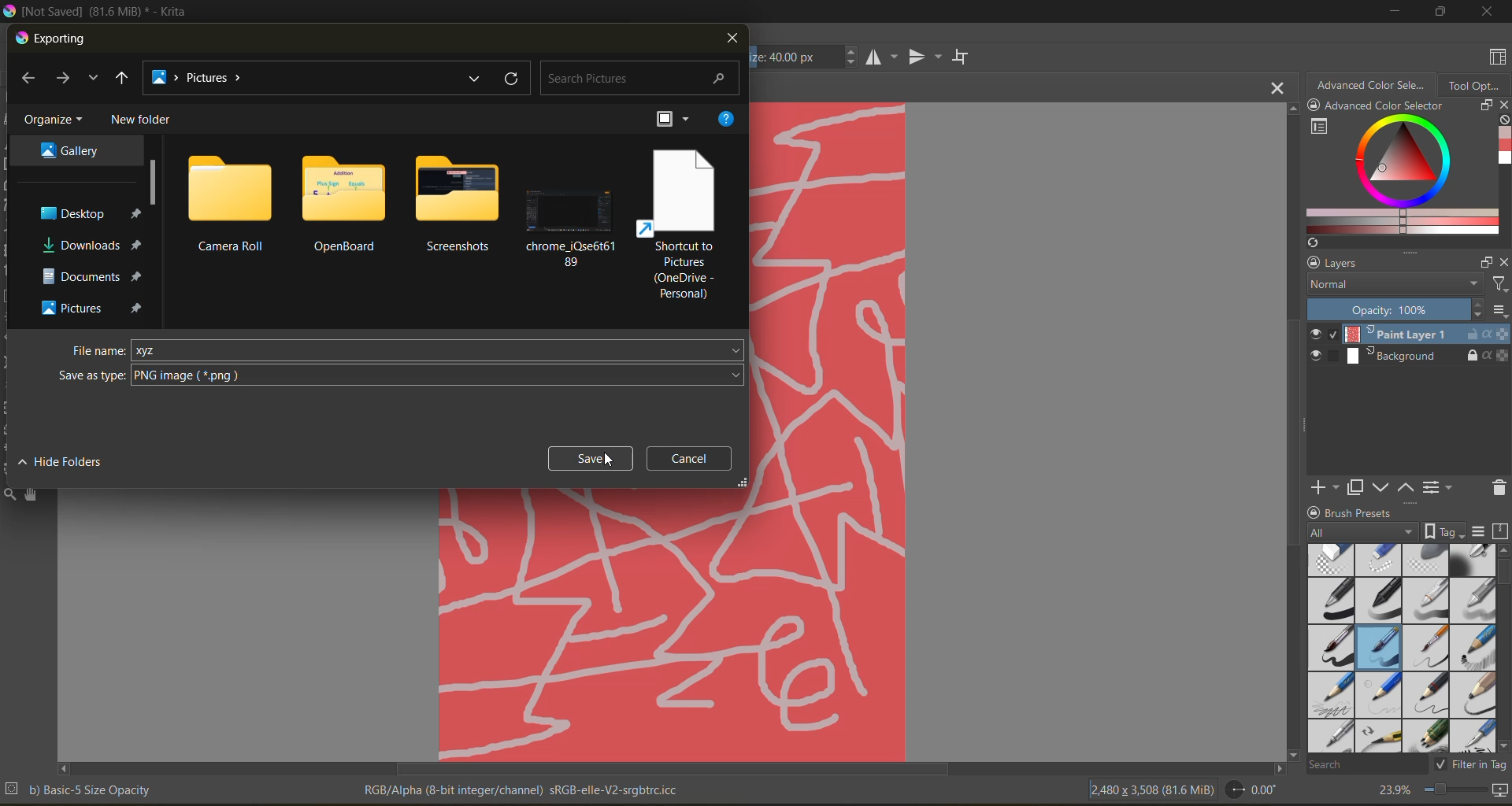 This screenshot has height=806, width=1512. I want to click on folder destination, so click(93, 276).